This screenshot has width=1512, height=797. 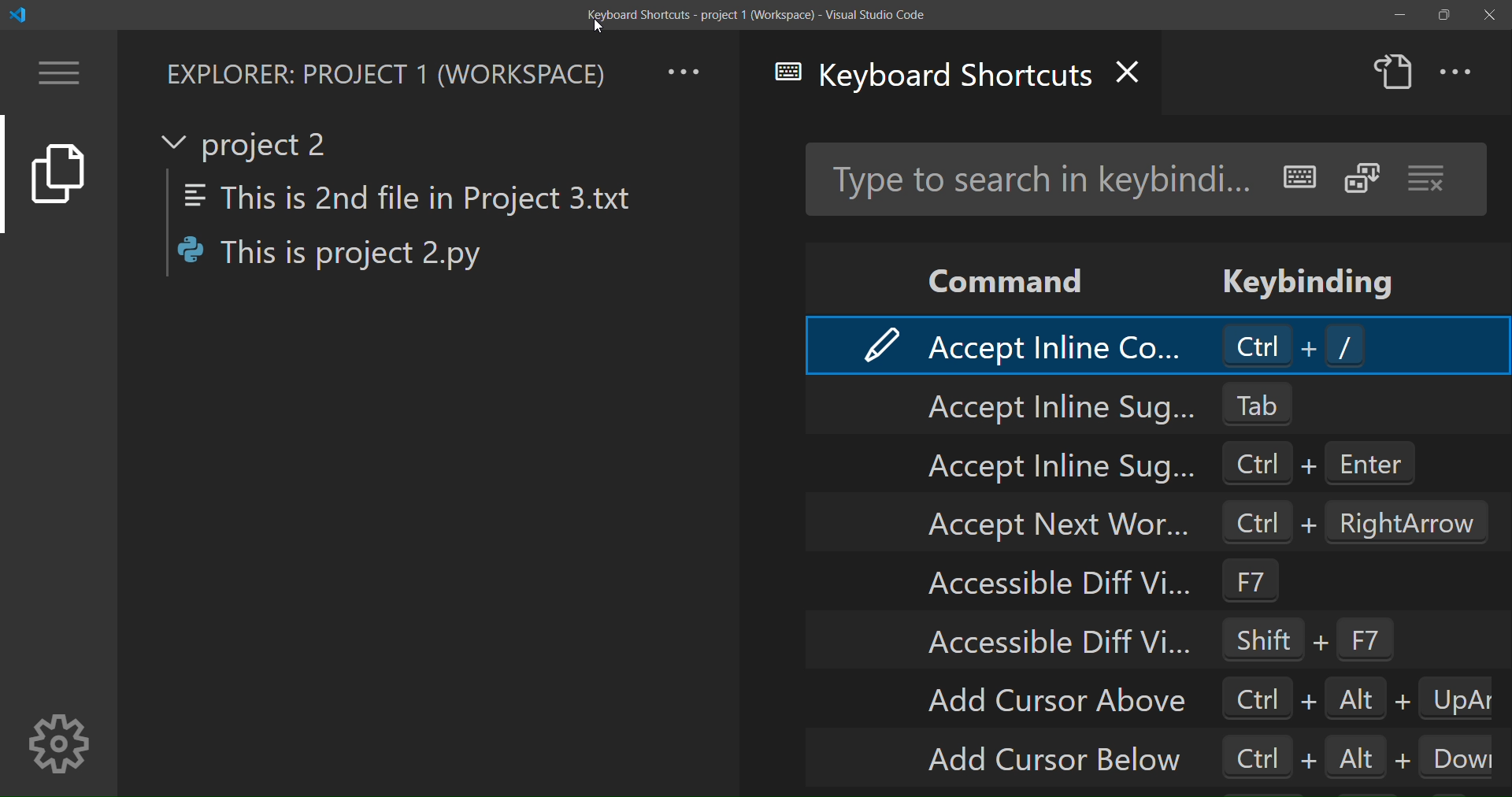 I want to click on manage, so click(x=60, y=740).